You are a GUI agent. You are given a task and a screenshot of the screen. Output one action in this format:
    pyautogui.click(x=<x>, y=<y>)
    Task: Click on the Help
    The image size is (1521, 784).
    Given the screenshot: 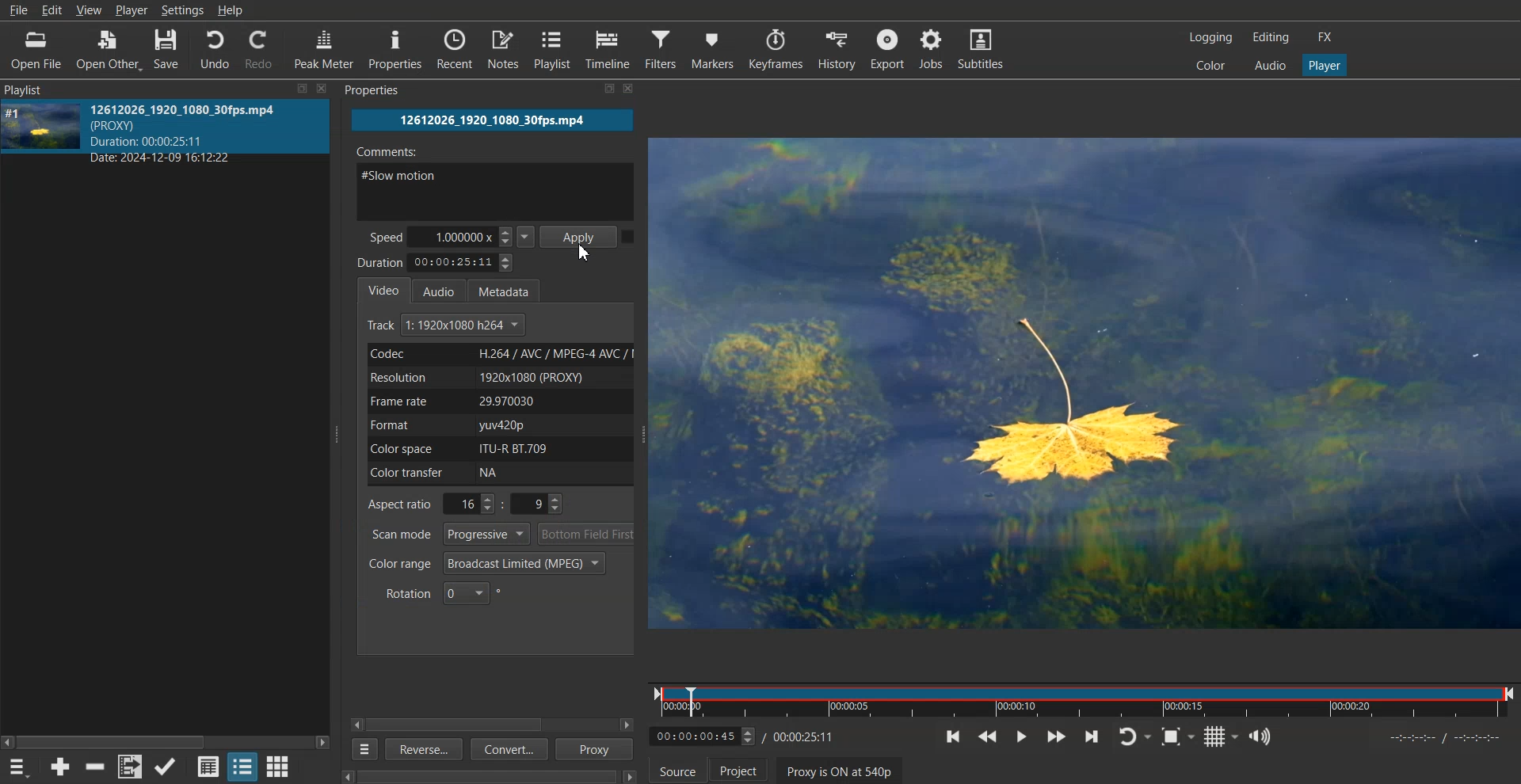 What is the action you would take?
    pyautogui.click(x=231, y=10)
    